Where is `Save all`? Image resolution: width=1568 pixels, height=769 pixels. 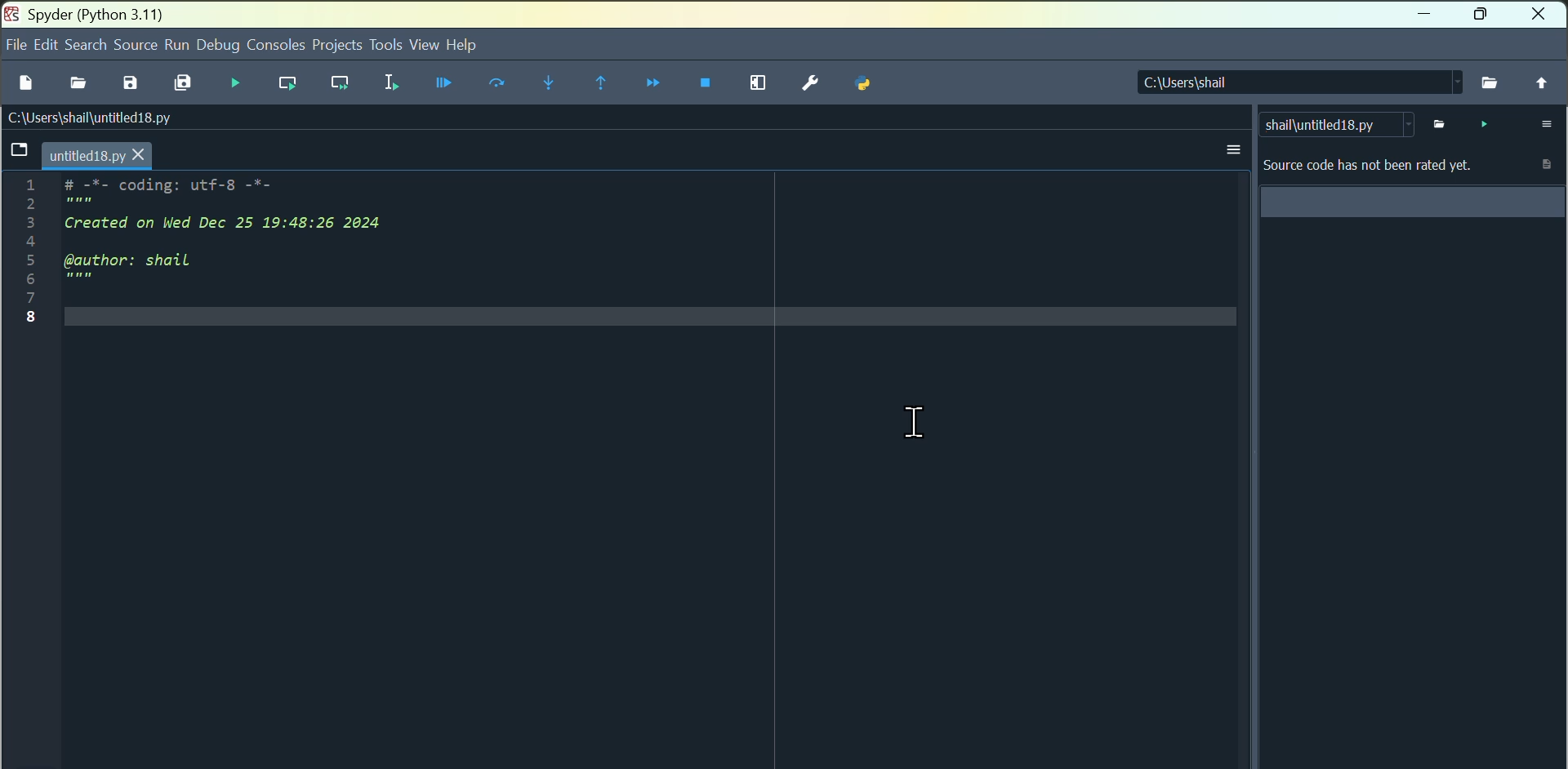 Save all is located at coordinates (183, 83).